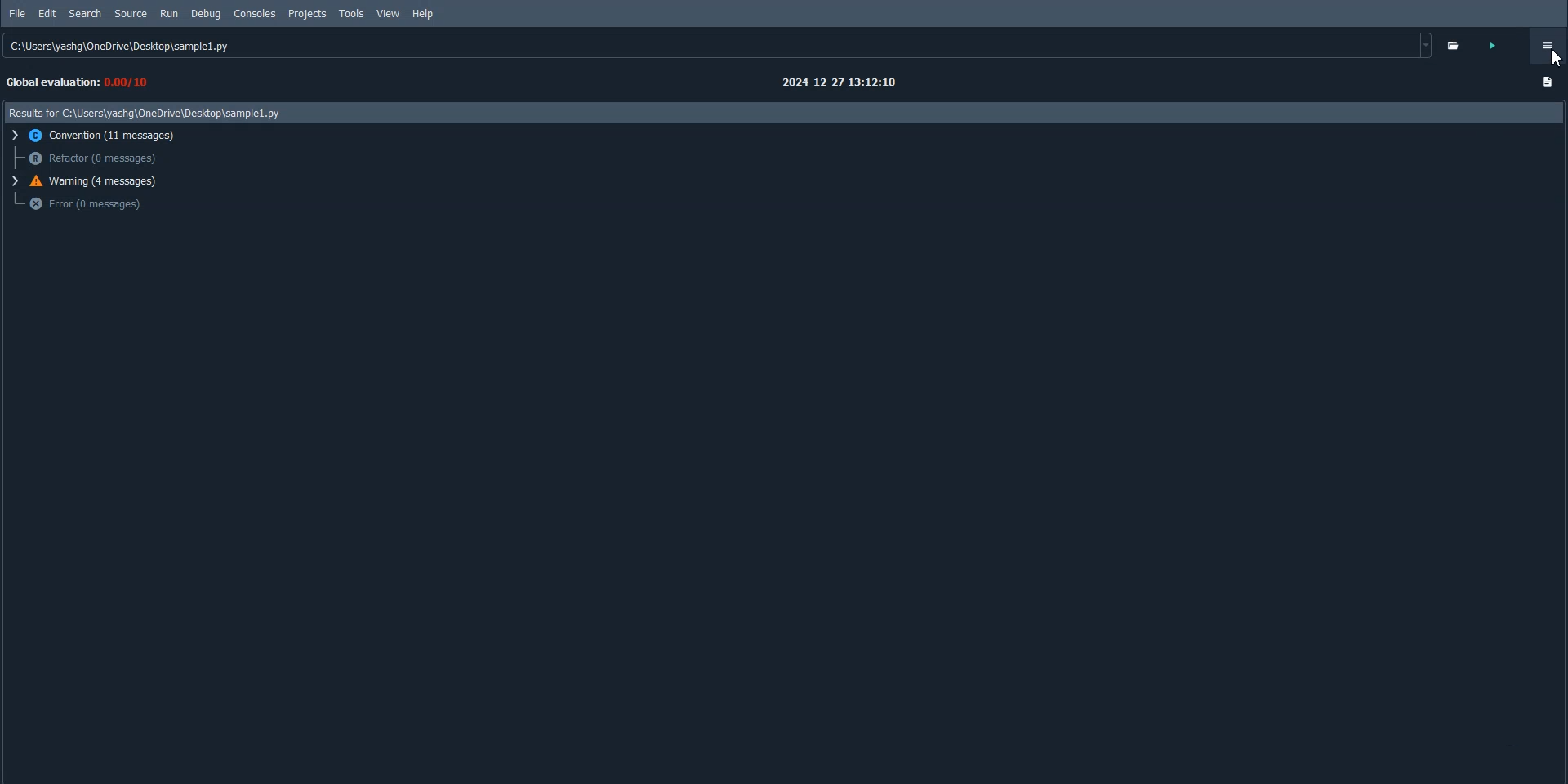 The image size is (1568, 784). Describe the element at coordinates (715, 44) in the screenshot. I see `C:\Users\yashg\OneDrive\Desktop\sample1.py` at that location.